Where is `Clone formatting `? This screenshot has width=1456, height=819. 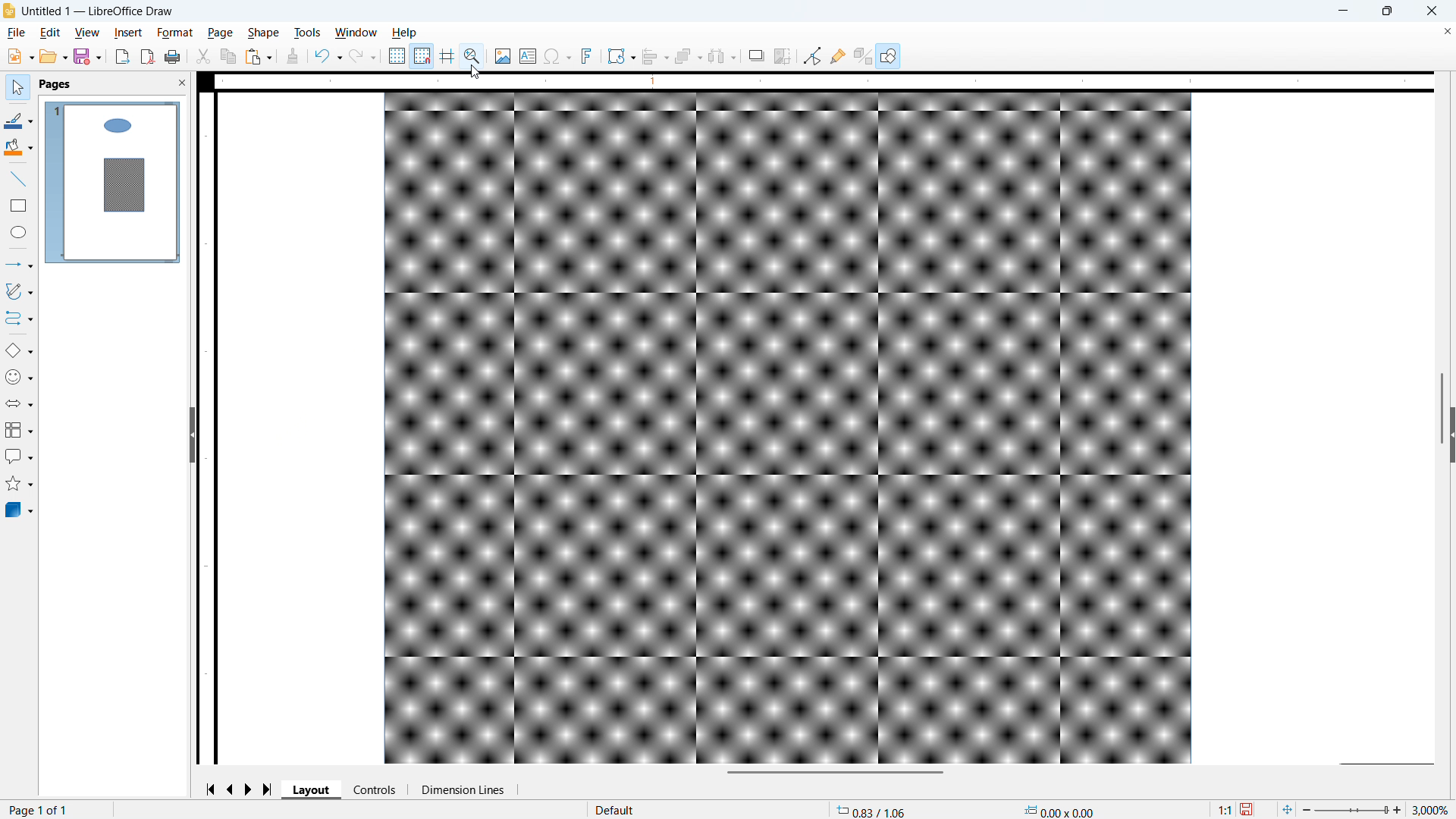 Clone formatting  is located at coordinates (293, 56).